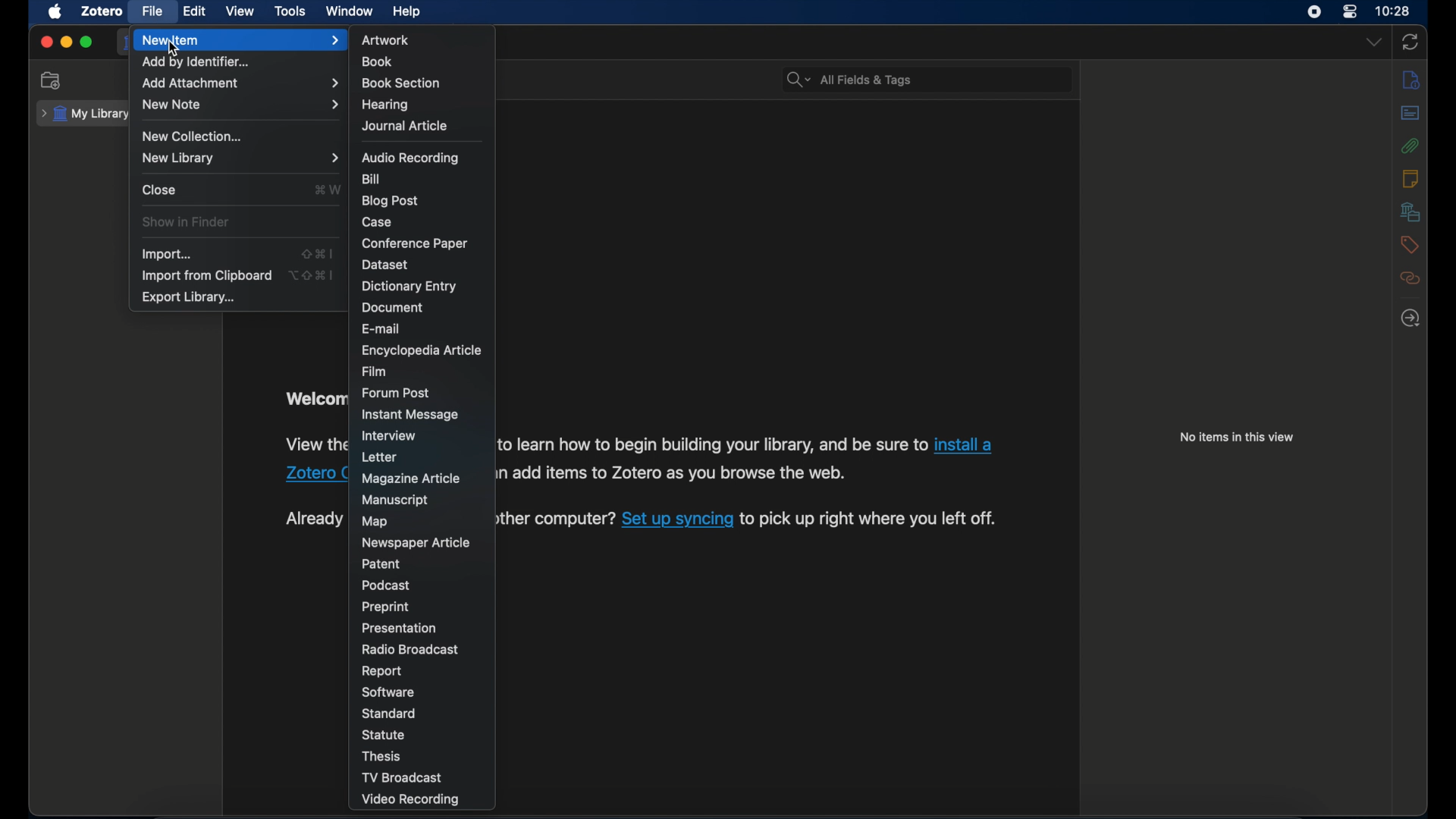  Describe the element at coordinates (551, 519) in the screenshot. I see `link` at that location.